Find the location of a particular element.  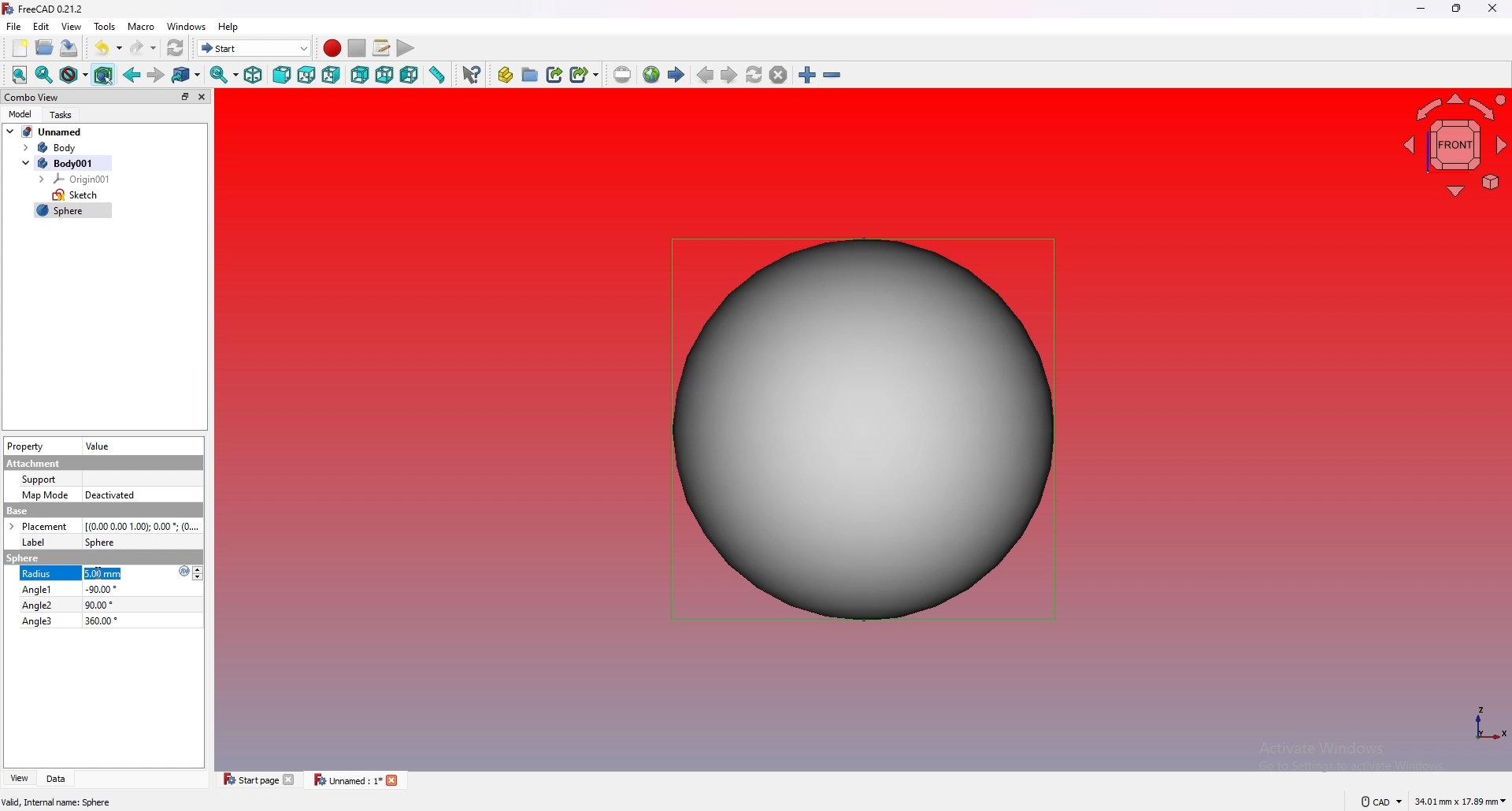

start page is located at coordinates (676, 75).